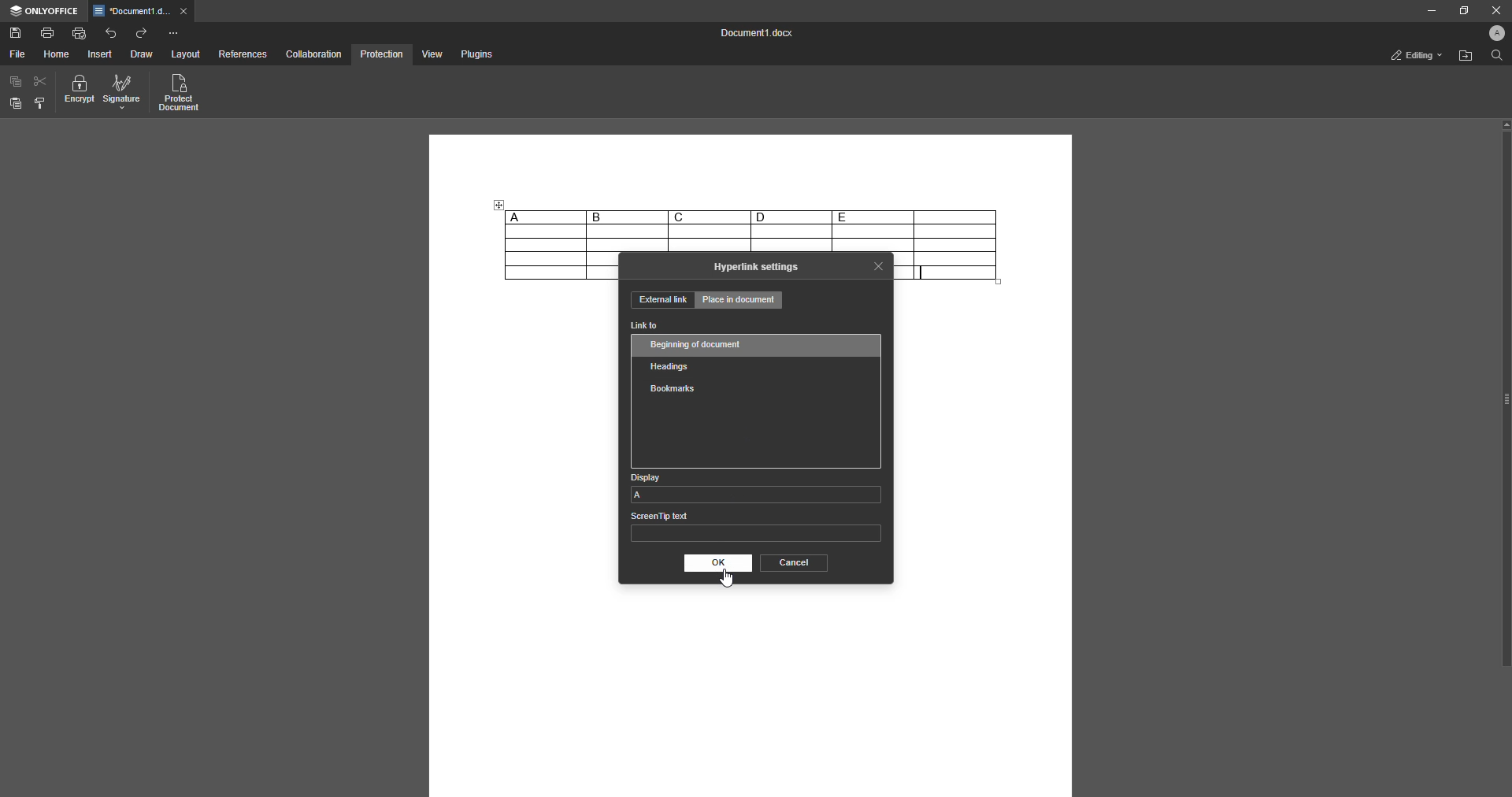  Describe the element at coordinates (673, 365) in the screenshot. I see `Headings` at that location.